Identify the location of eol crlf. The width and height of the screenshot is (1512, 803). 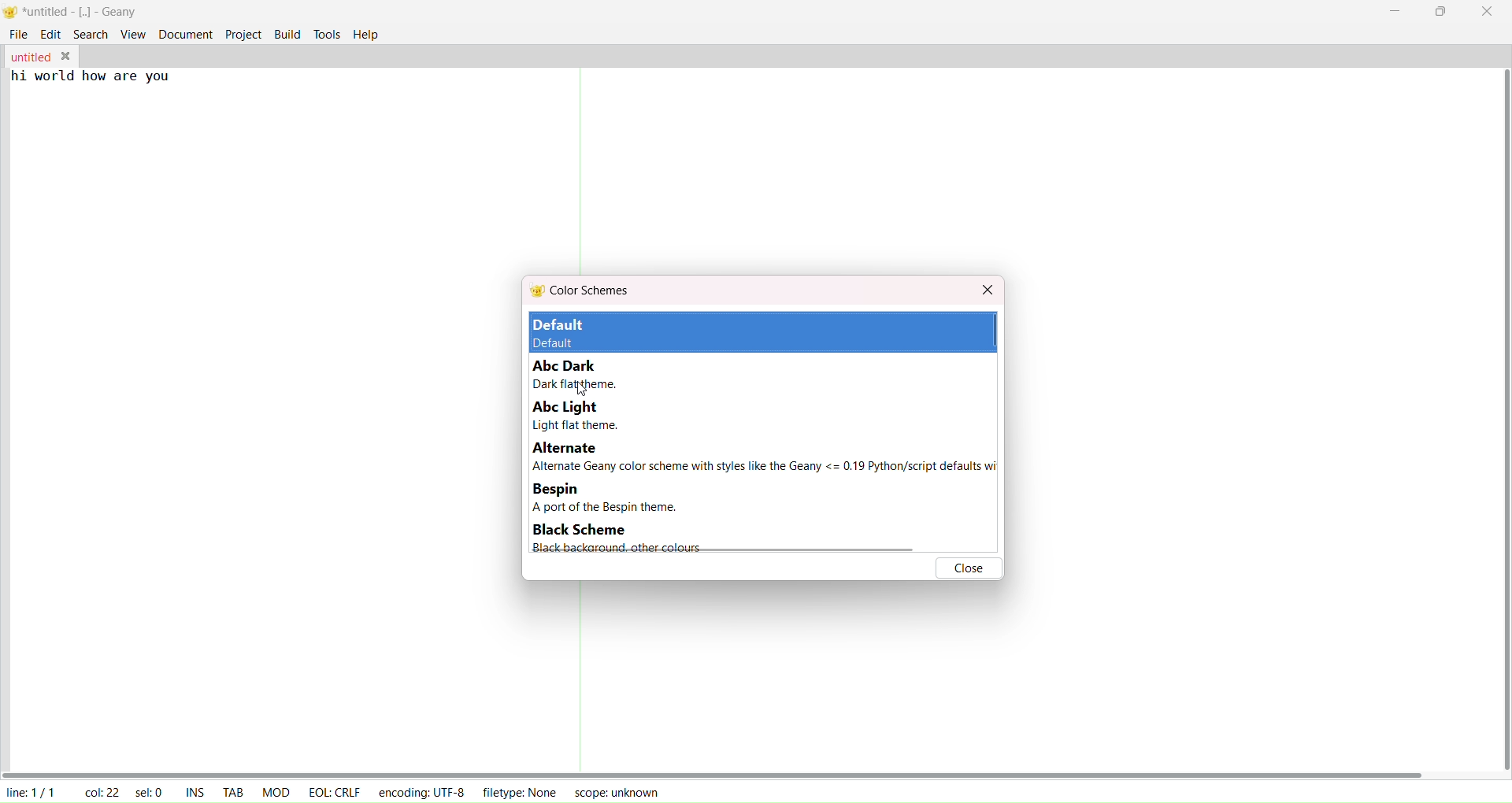
(331, 791).